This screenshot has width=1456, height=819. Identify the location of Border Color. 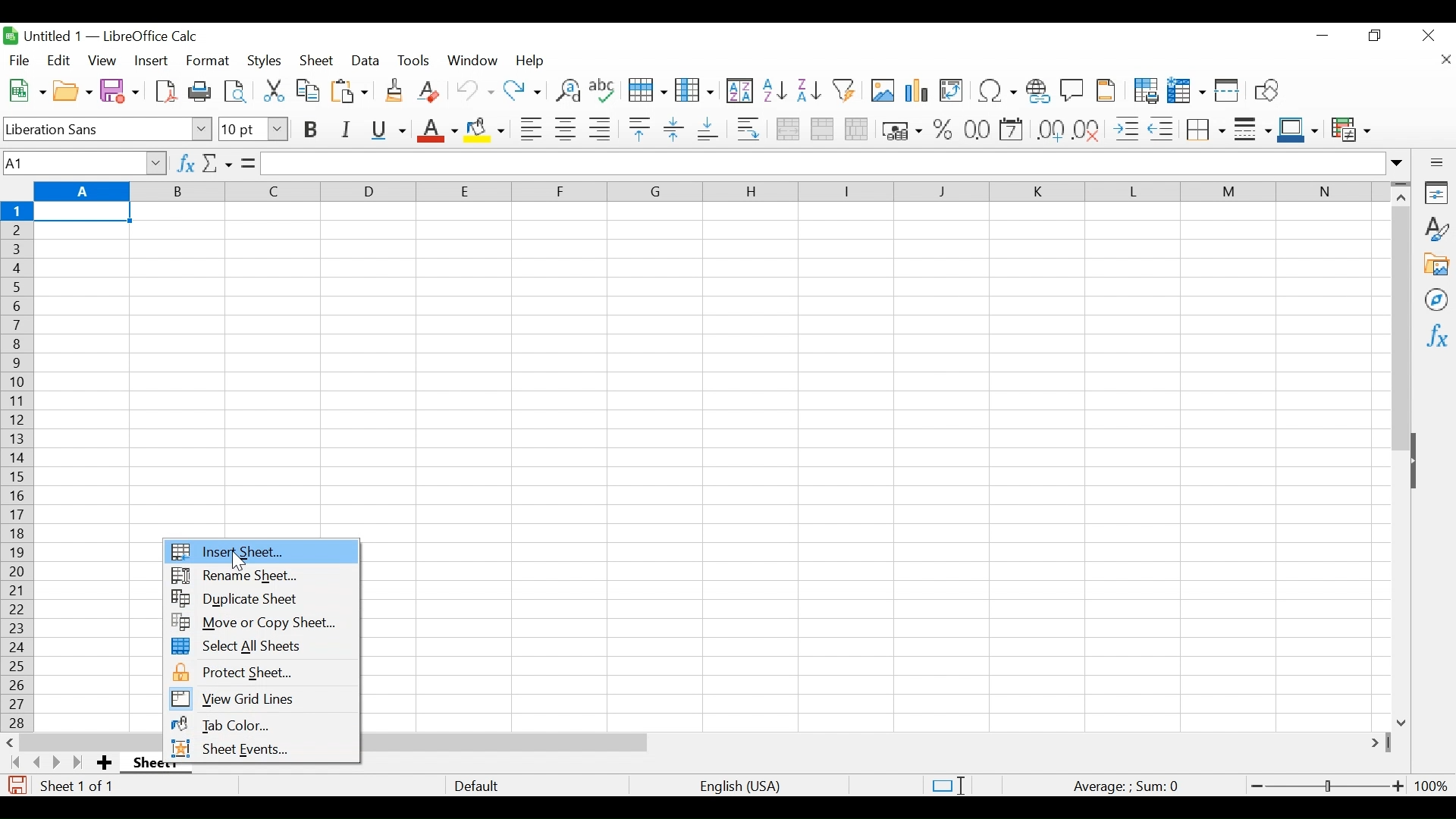
(1298, 130).